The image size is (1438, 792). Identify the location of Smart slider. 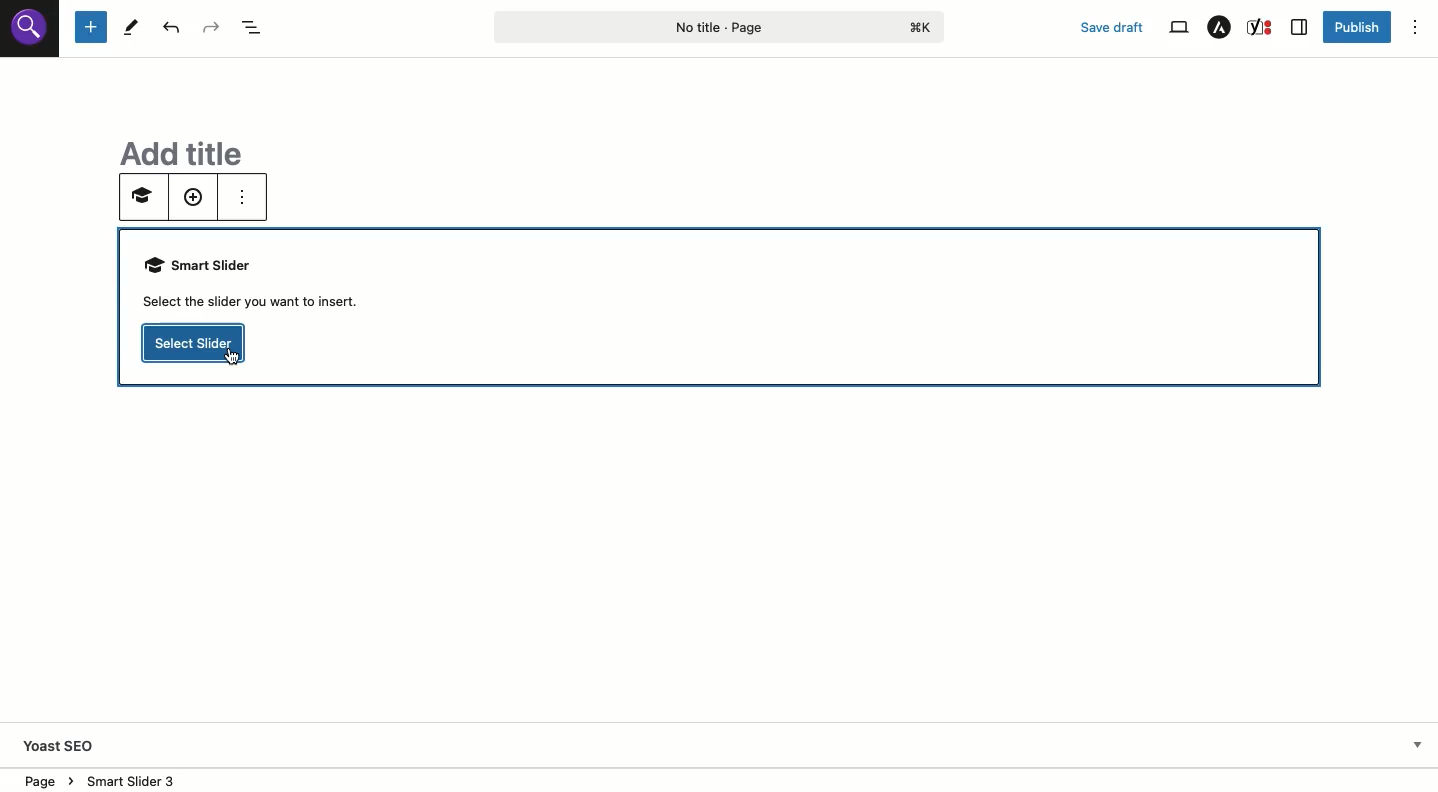
(140, 200).